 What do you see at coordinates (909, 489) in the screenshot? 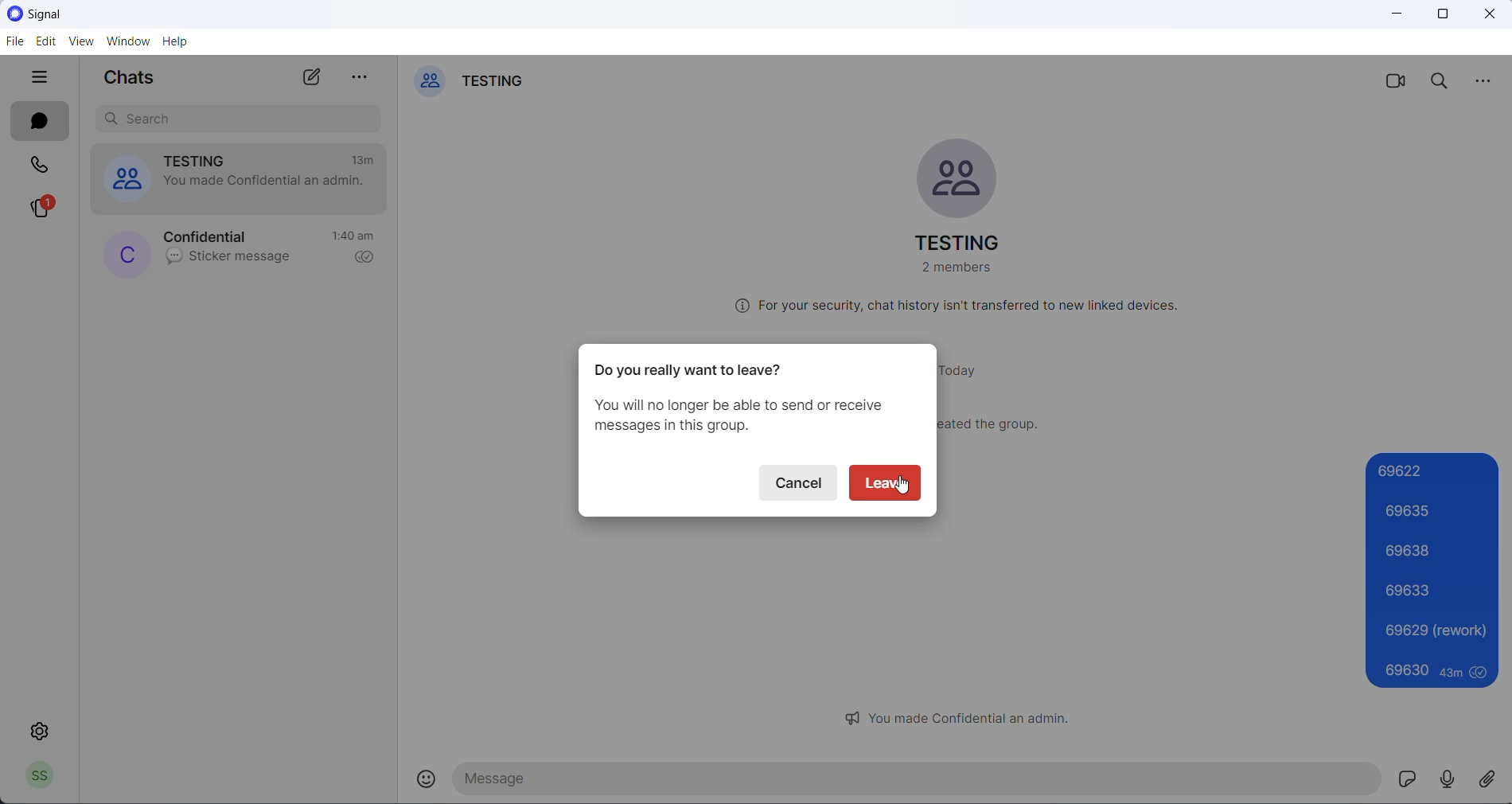
I see `cursor` at bounding box center [909, 489].